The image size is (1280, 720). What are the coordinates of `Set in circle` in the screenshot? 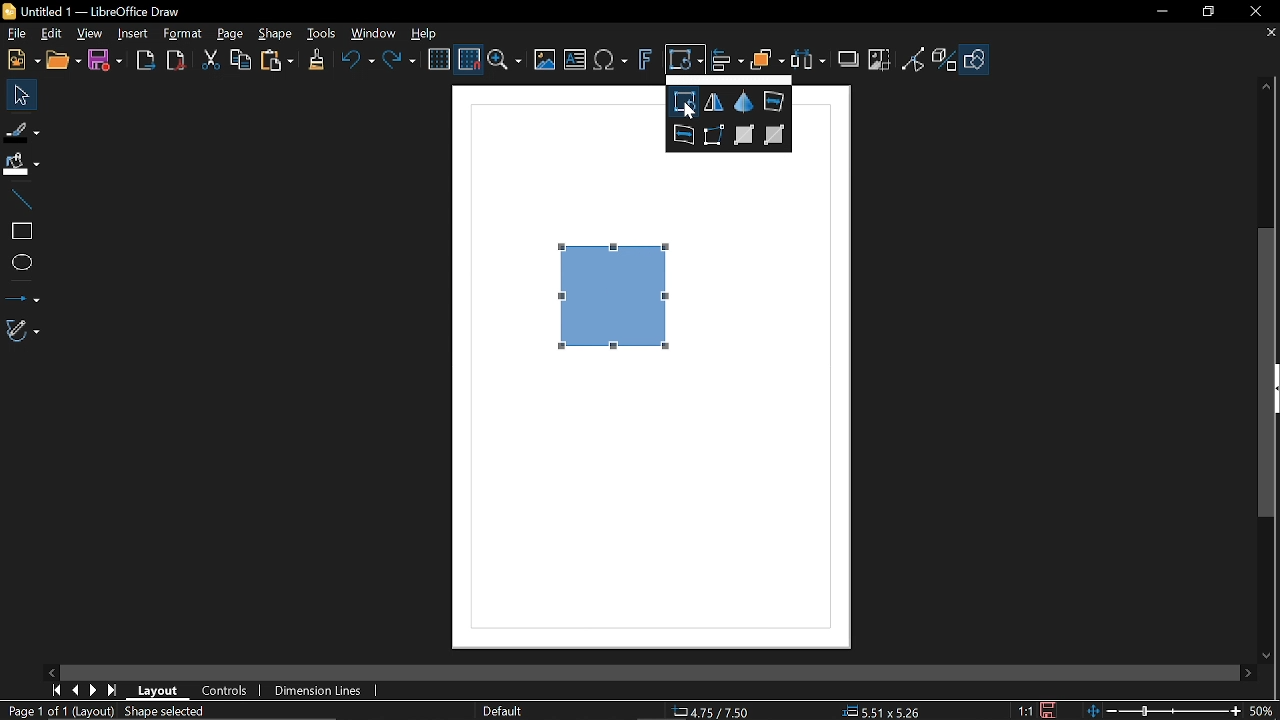 It's located at (774, 100).